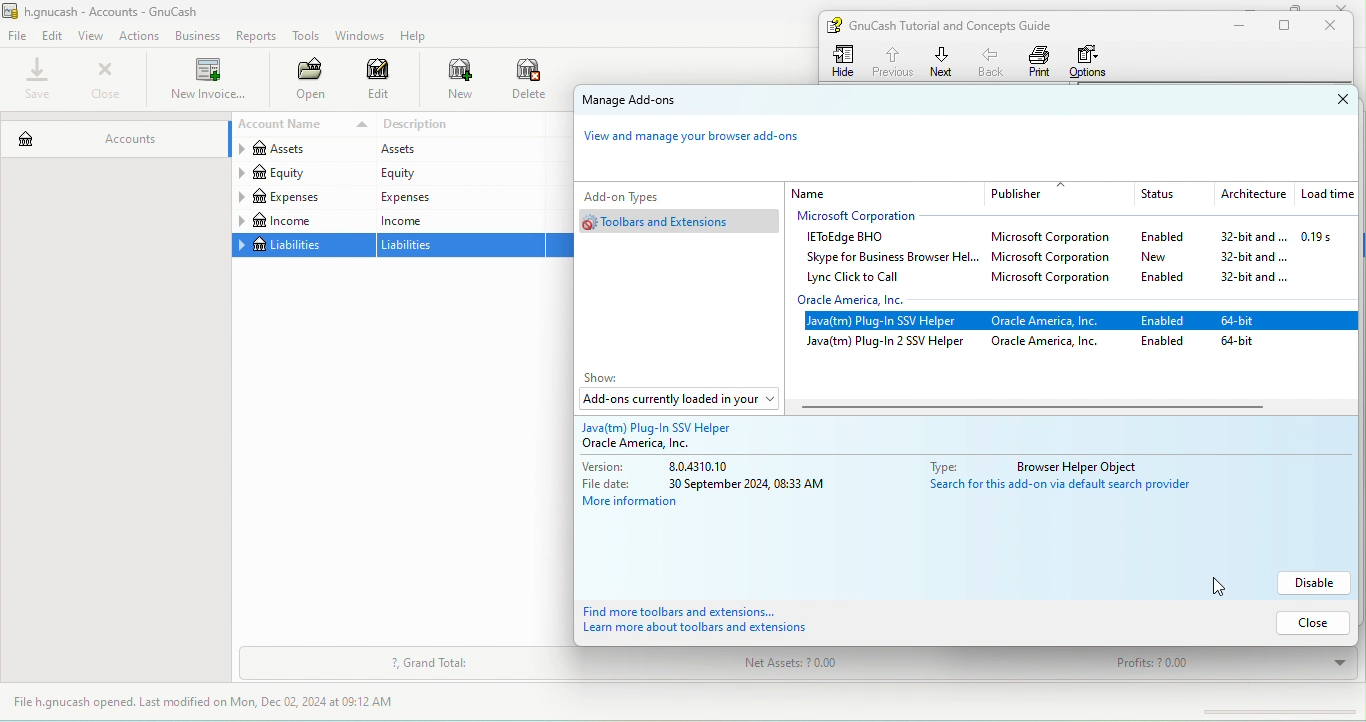 The width and height of the screenshot is (1366, 722). Describe the element at coordinates (1058, 280) in the screenshot. I see `microsoft corporation` at that location.